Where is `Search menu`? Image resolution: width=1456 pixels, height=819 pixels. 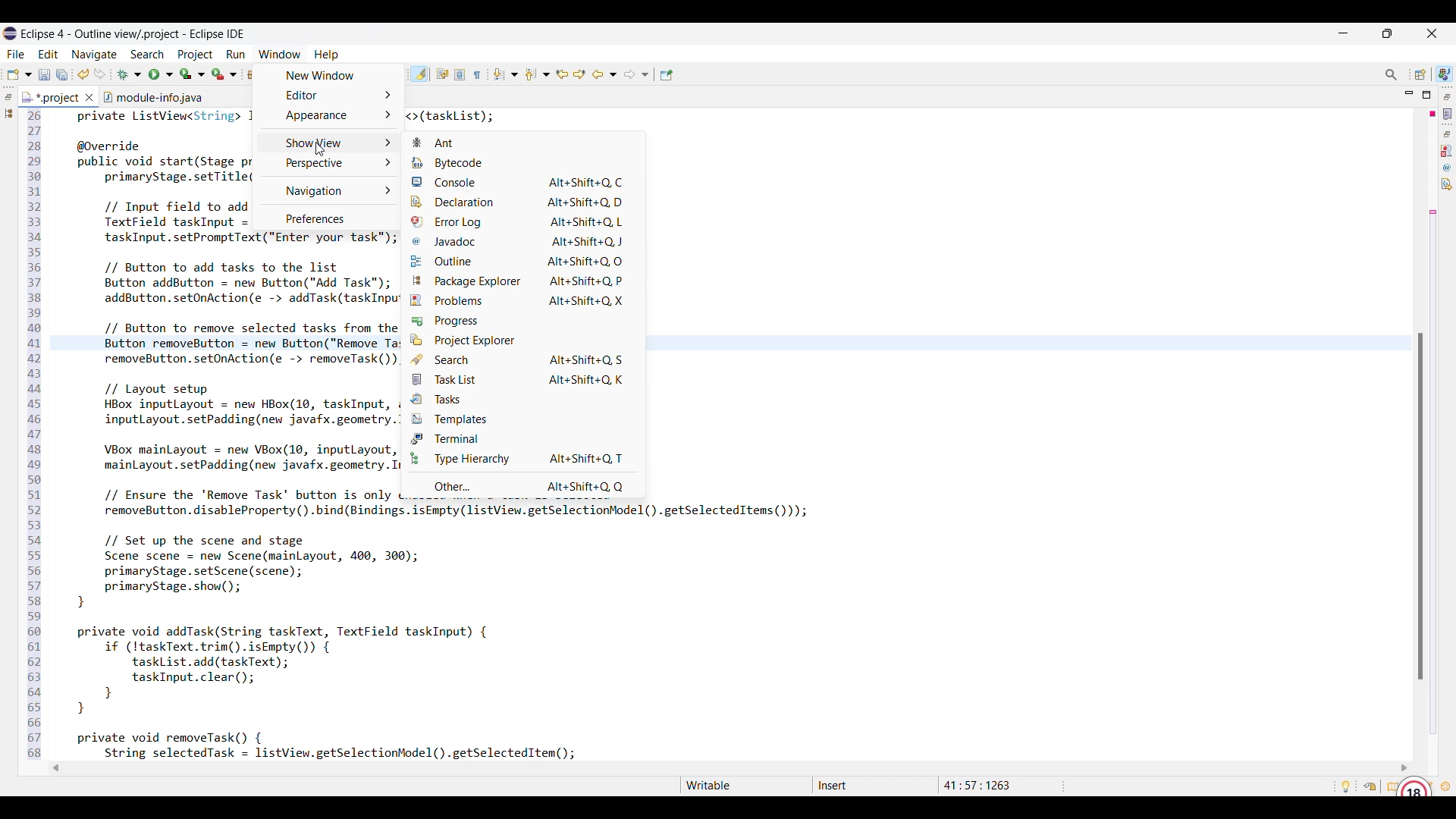
Search menu is located at coordinates (148, 55).